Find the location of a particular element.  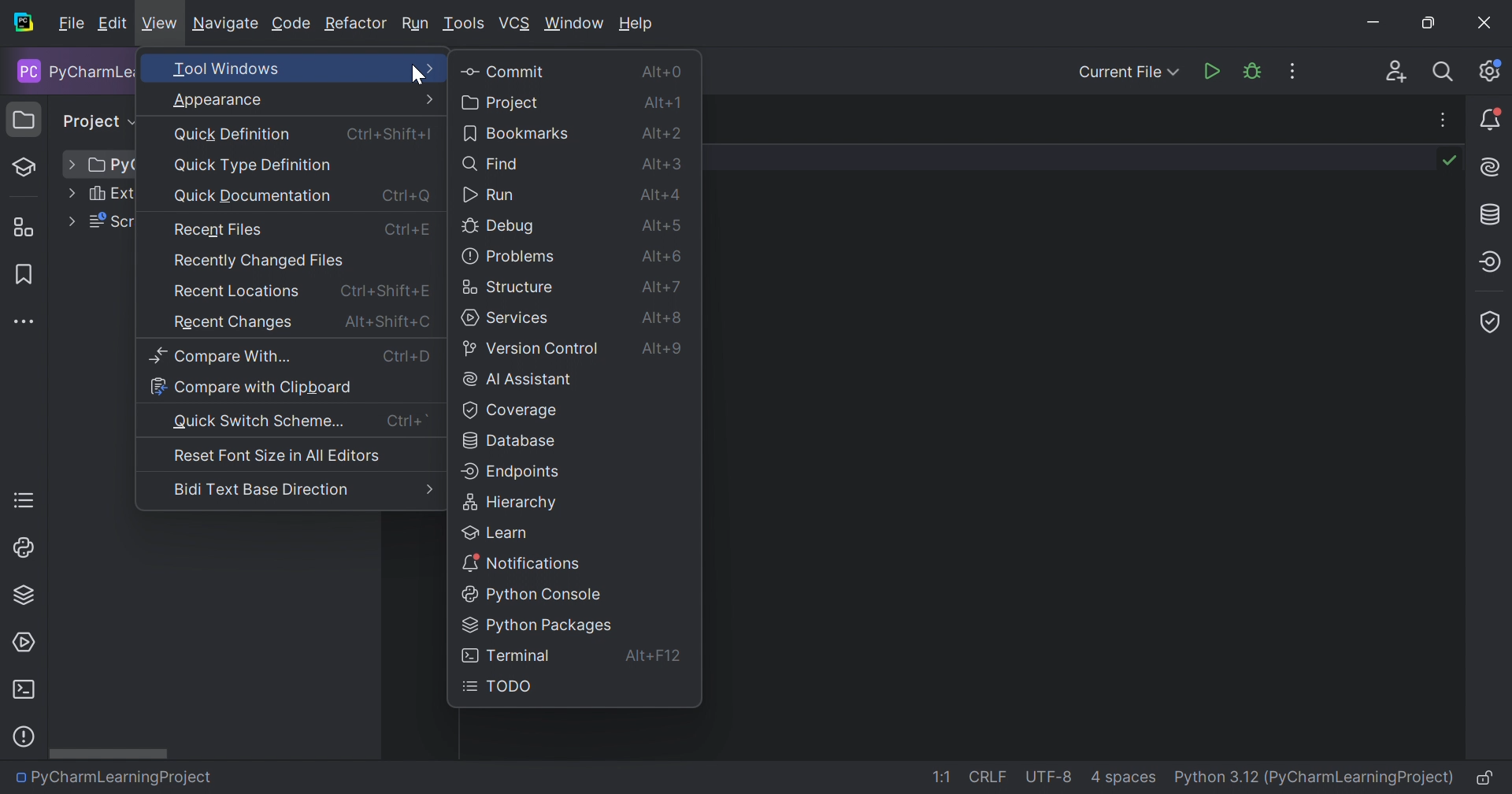

Python Console is located at coordinates (24, 548).